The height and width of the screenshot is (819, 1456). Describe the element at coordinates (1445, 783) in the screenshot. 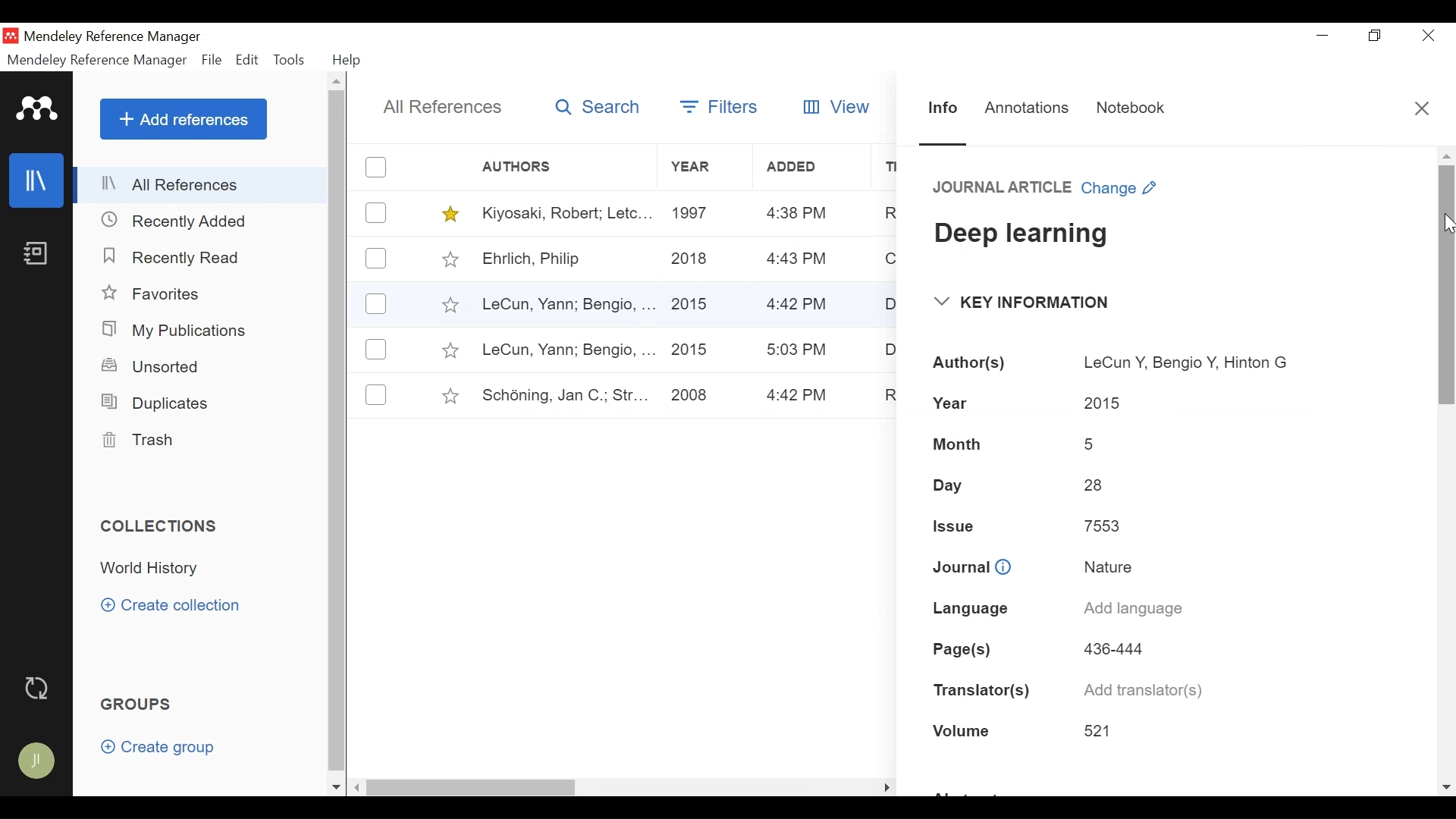

I see `Scroll down` at that location.